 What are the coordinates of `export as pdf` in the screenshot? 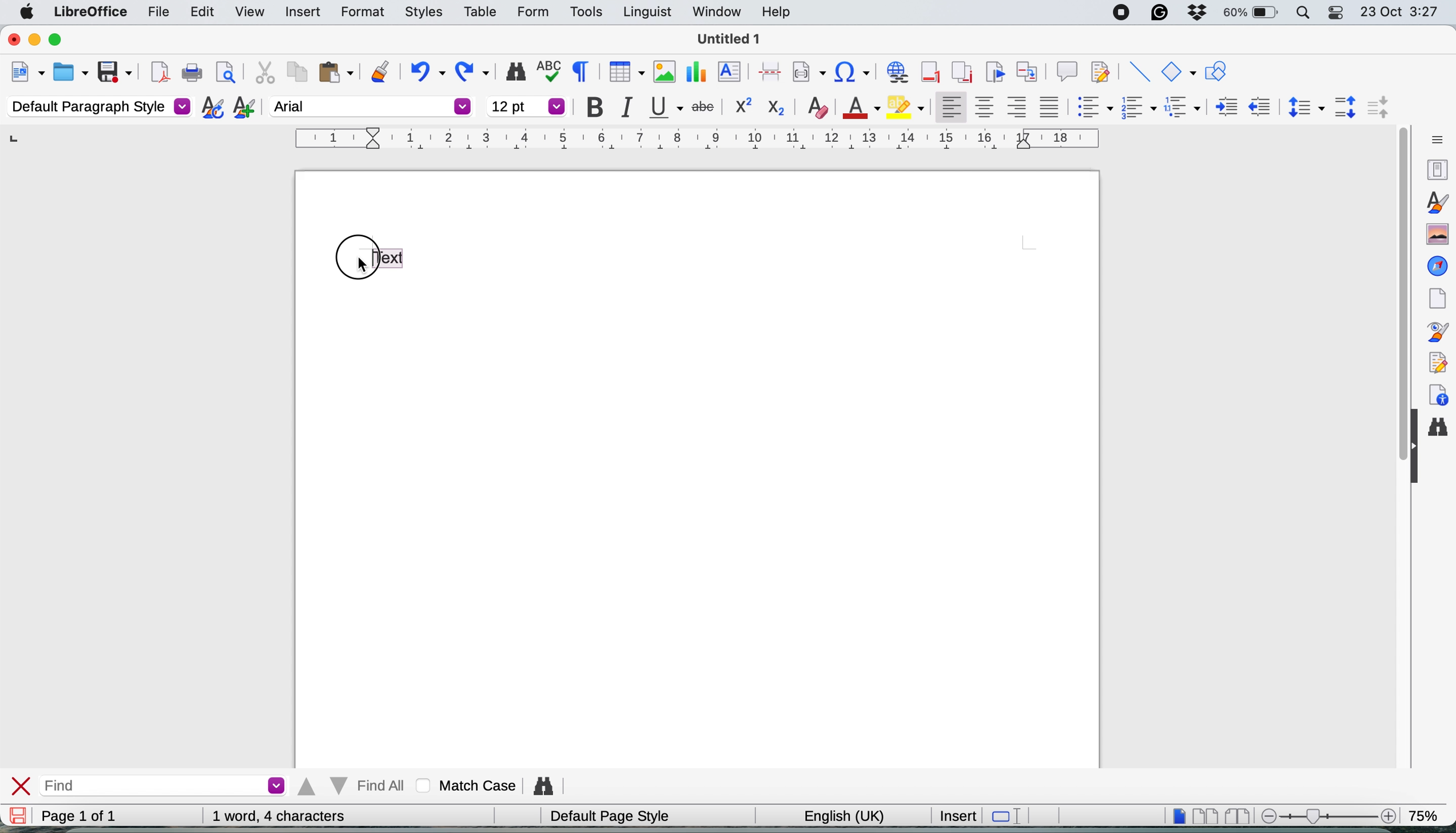 It's located at (156, 73).